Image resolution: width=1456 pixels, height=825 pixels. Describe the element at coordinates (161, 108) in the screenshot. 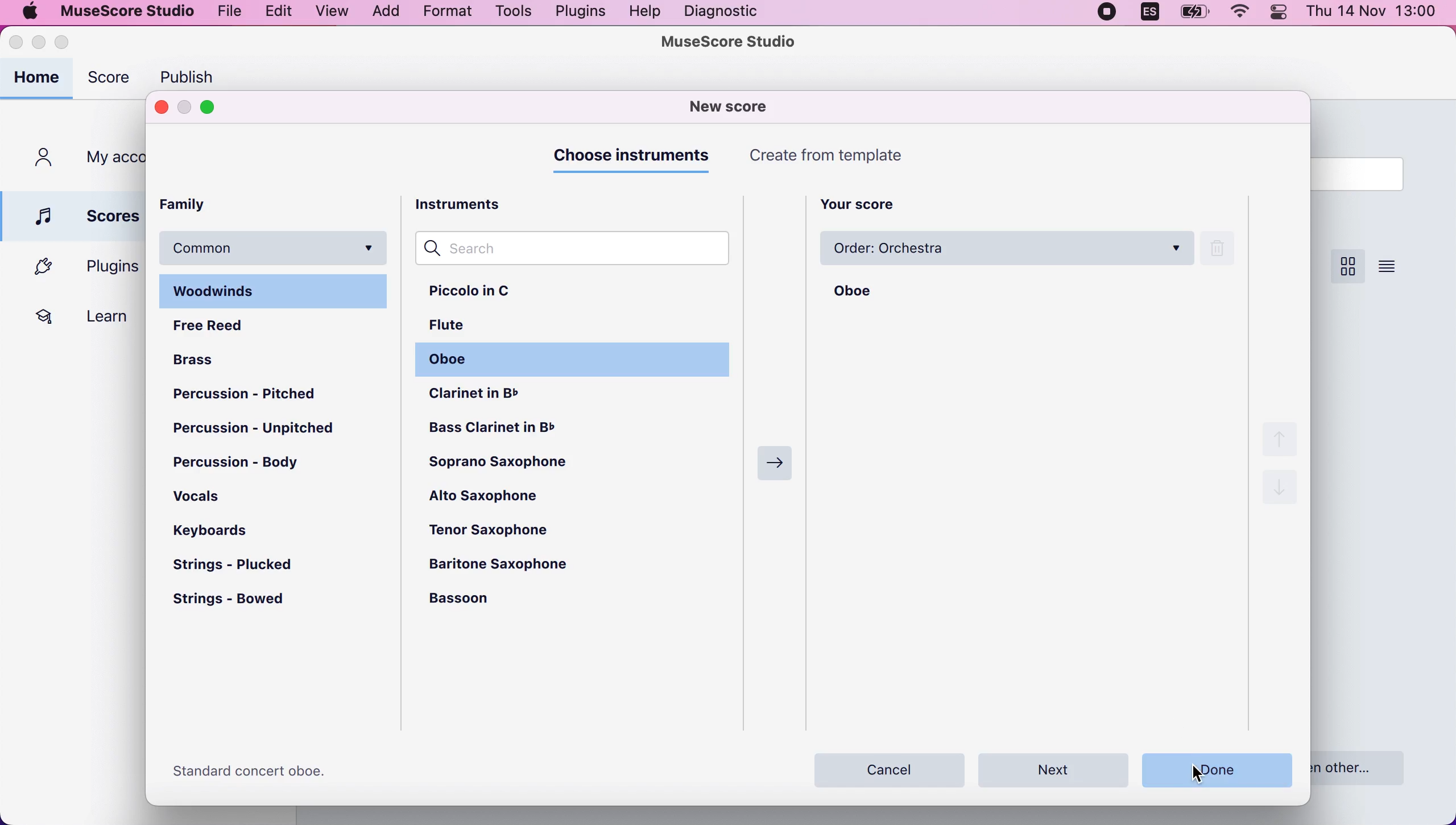

I see `close` at that location.